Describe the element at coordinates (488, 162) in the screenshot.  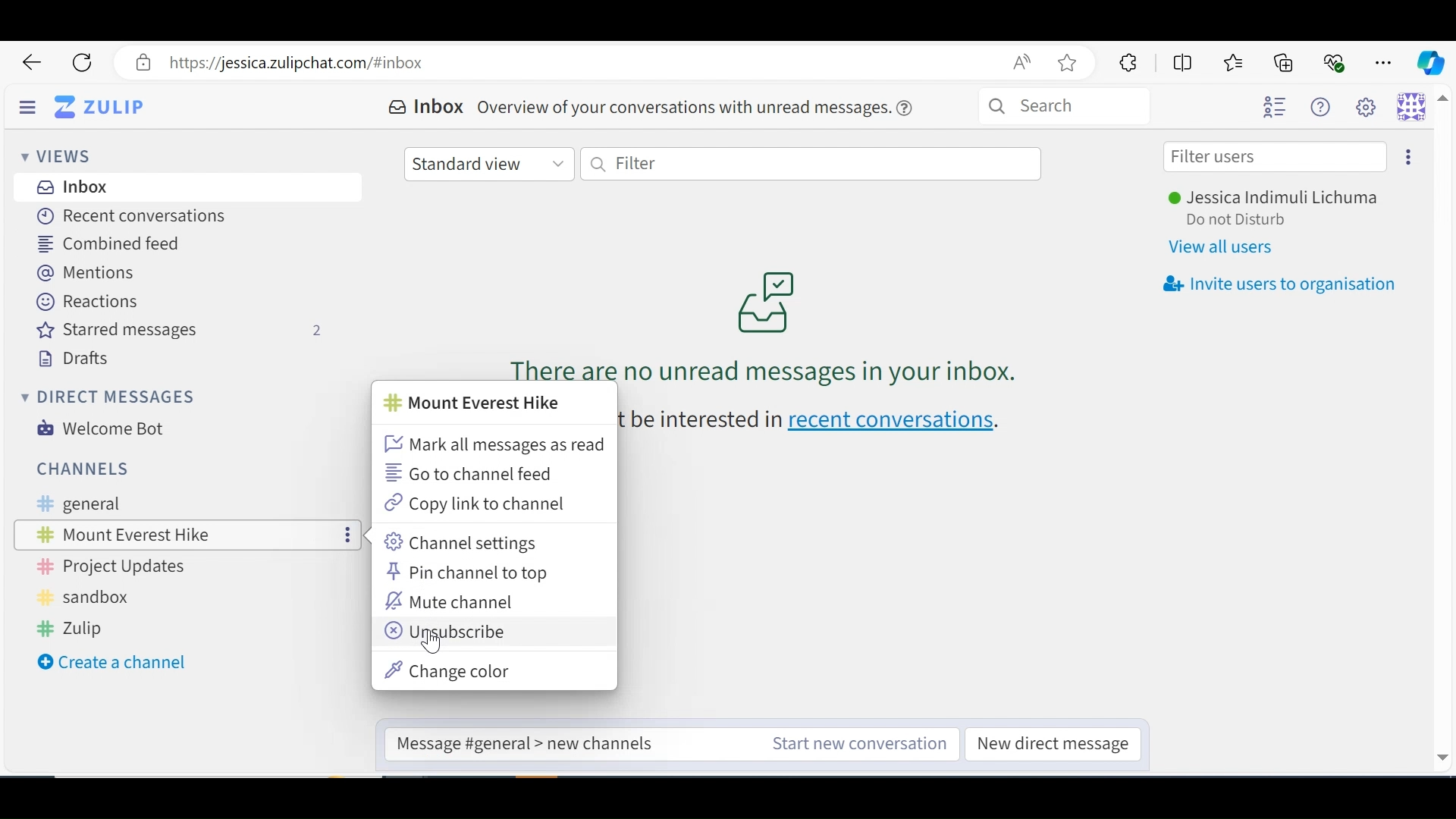
I see `Standard view` at that location.